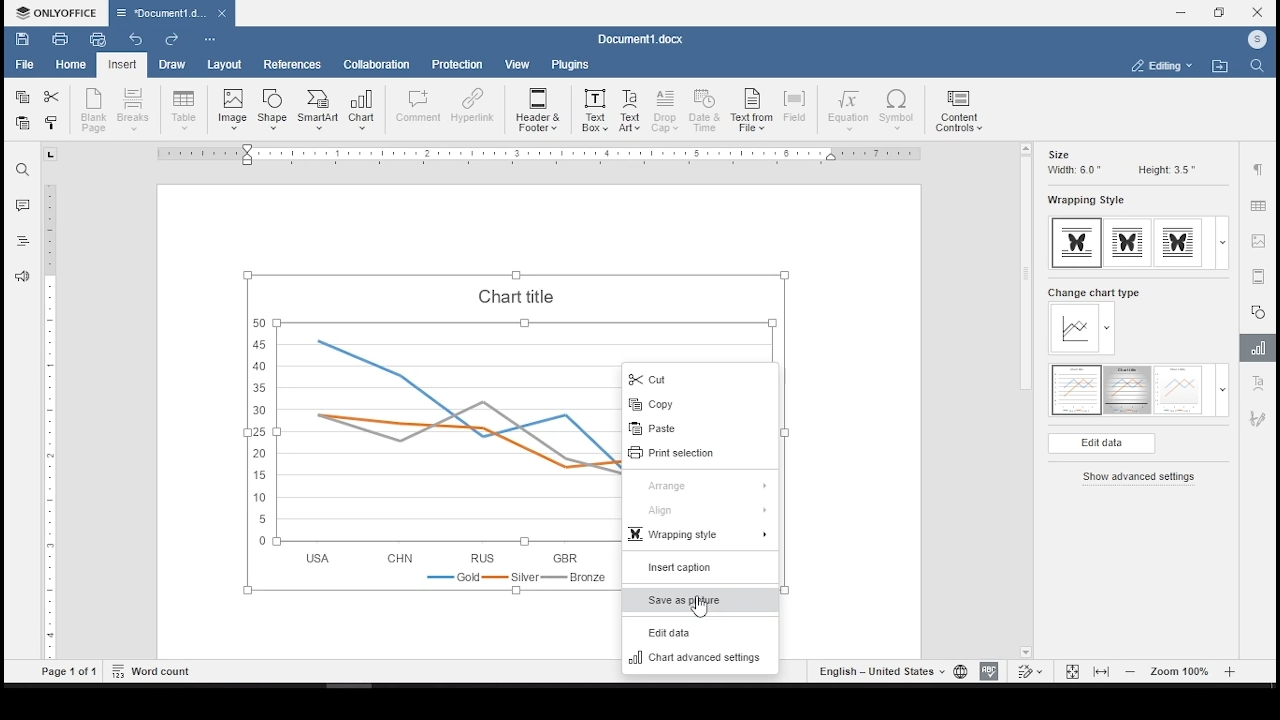  Describe the element at coordinates (639, 40) in the screenshot. I see `Document3.docx` at that location.